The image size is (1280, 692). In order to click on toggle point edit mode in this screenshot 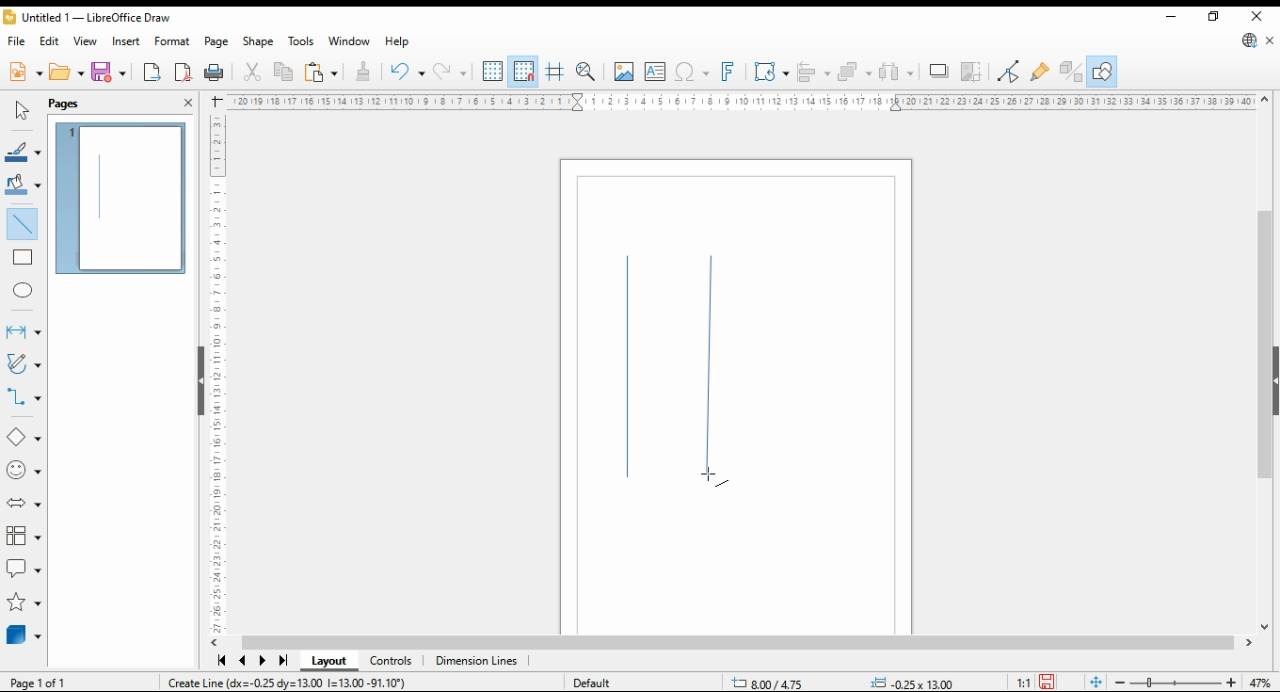, I will do `click(1010, 69)`.